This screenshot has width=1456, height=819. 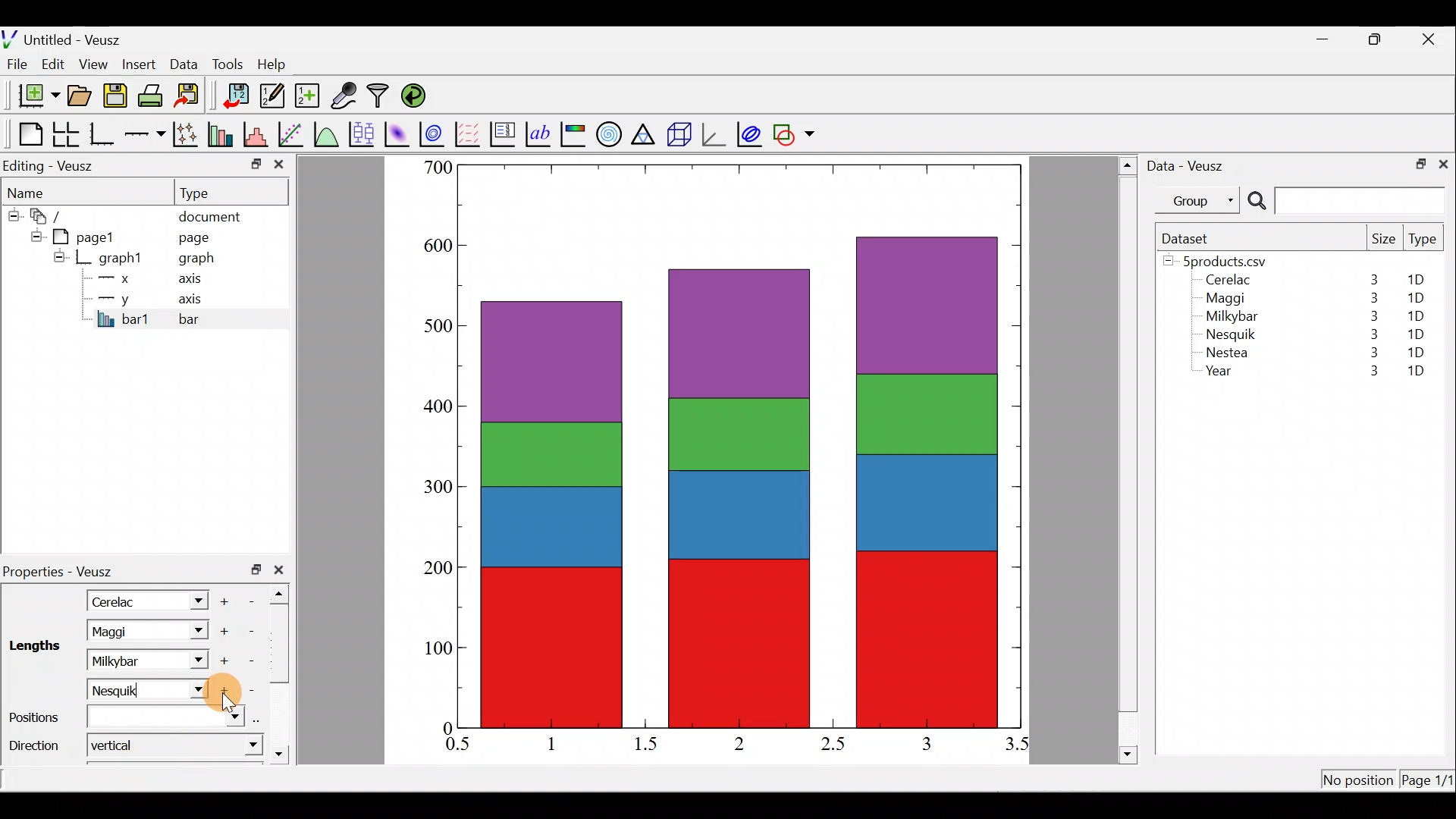 I want to click on 3, so click(x=1370, y=298).